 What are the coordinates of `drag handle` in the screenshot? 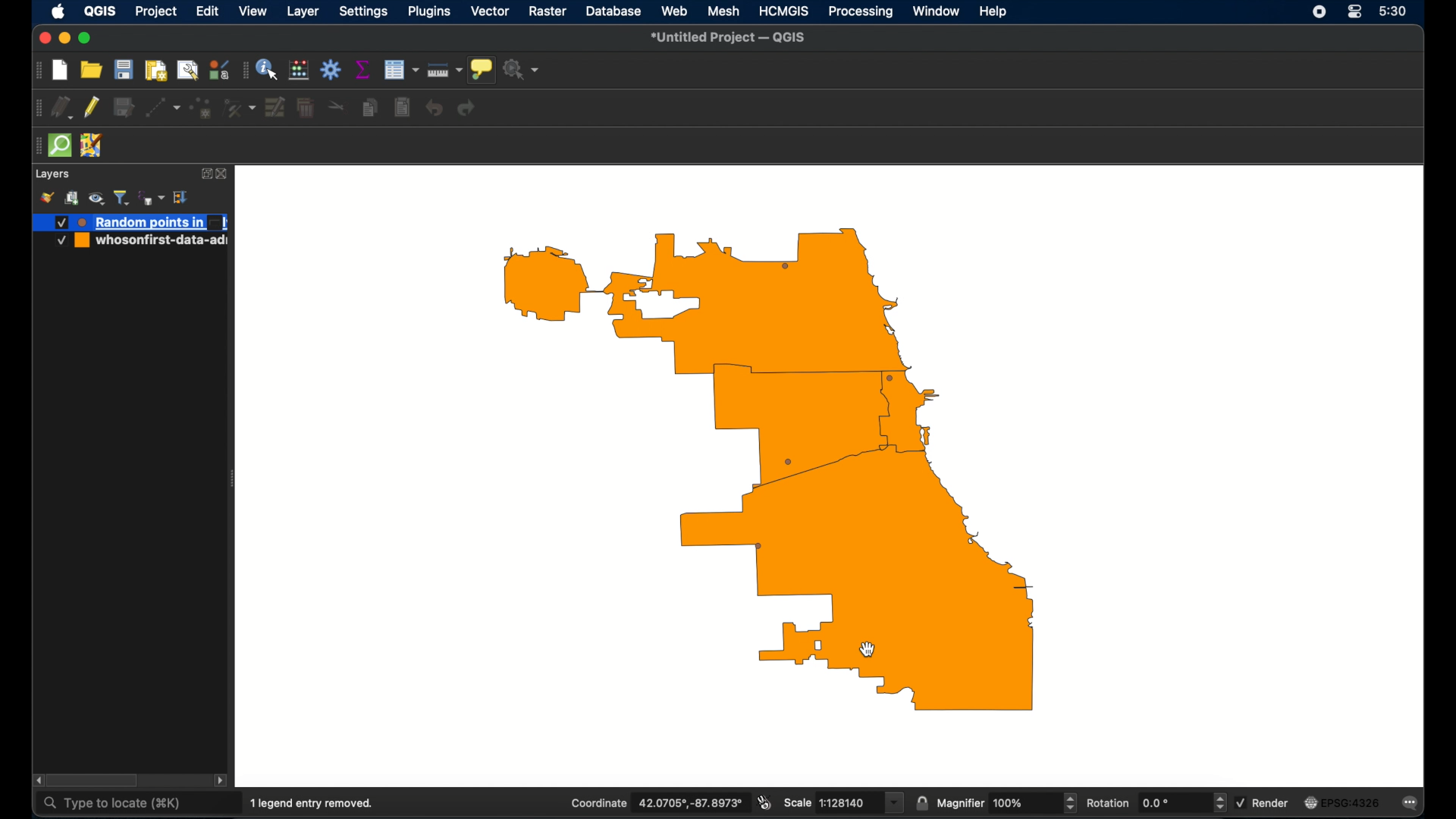 It's located at (36, 146).